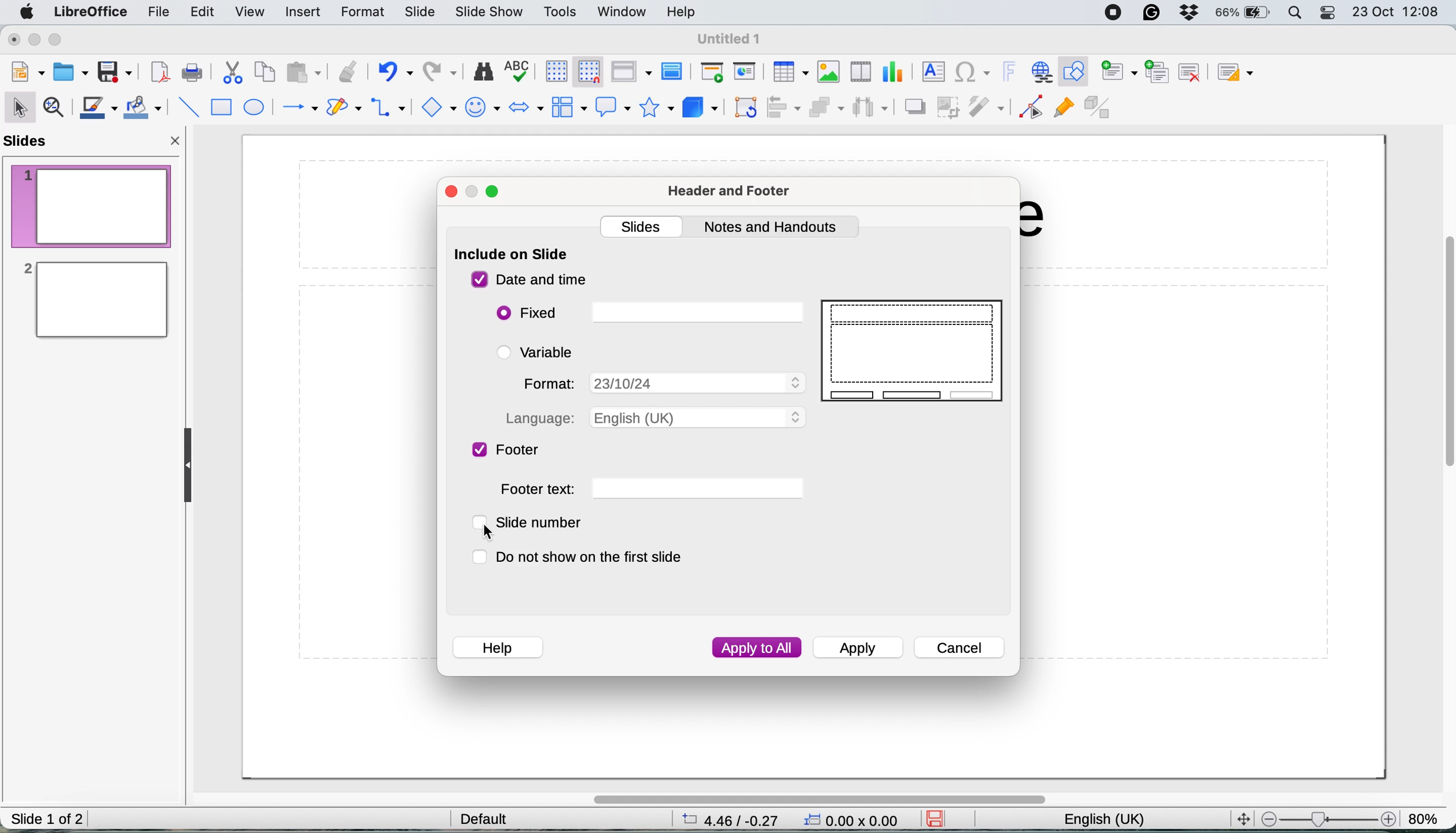 The image size is (1456, 833). I want to click on rectangle, so click(221, 109).